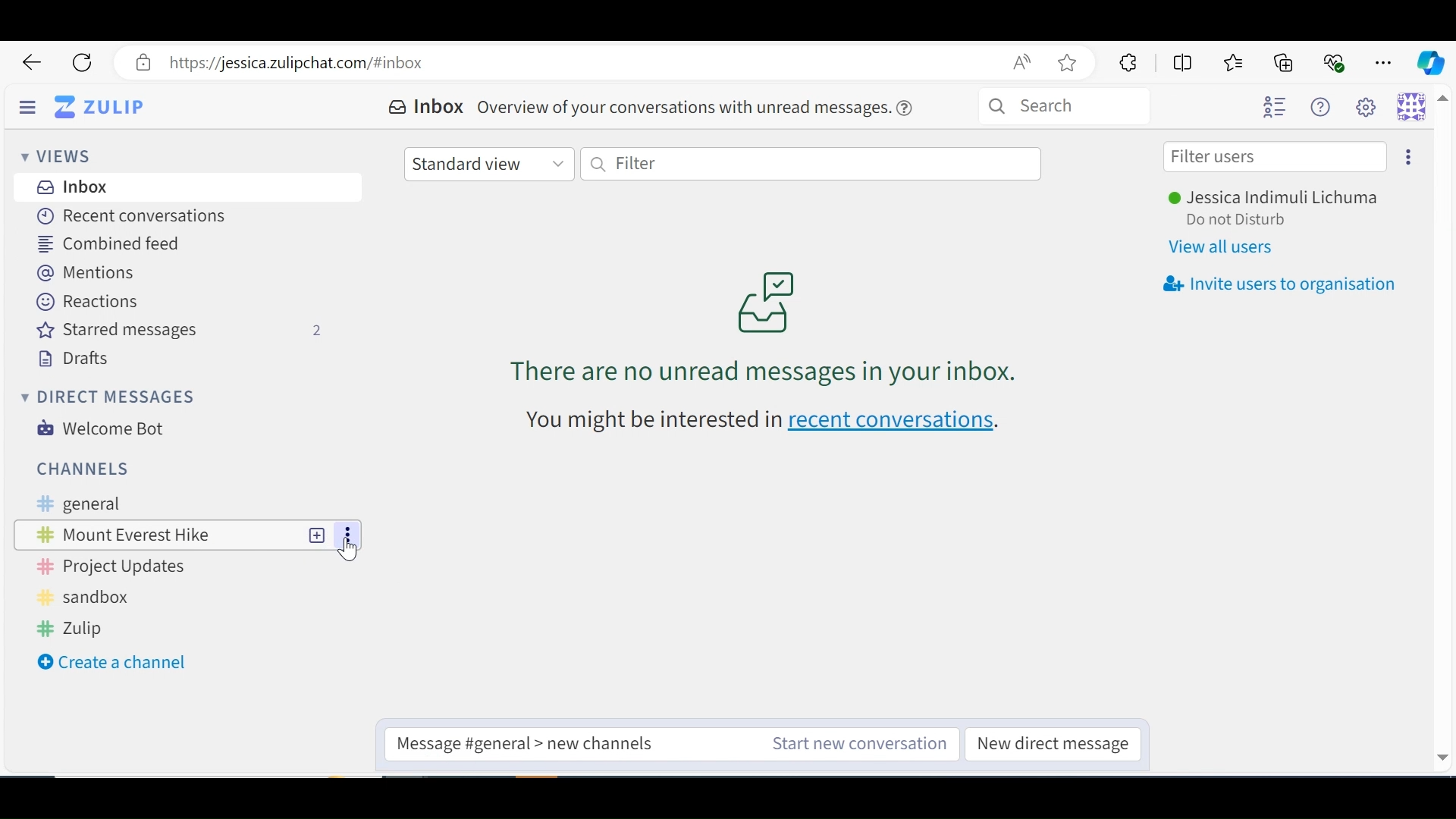 The width and height of the screenshot is (1456, 819). Describe the element at coordinates (855, 744) in the screenshot. I see `Start a new conversation` at that location.